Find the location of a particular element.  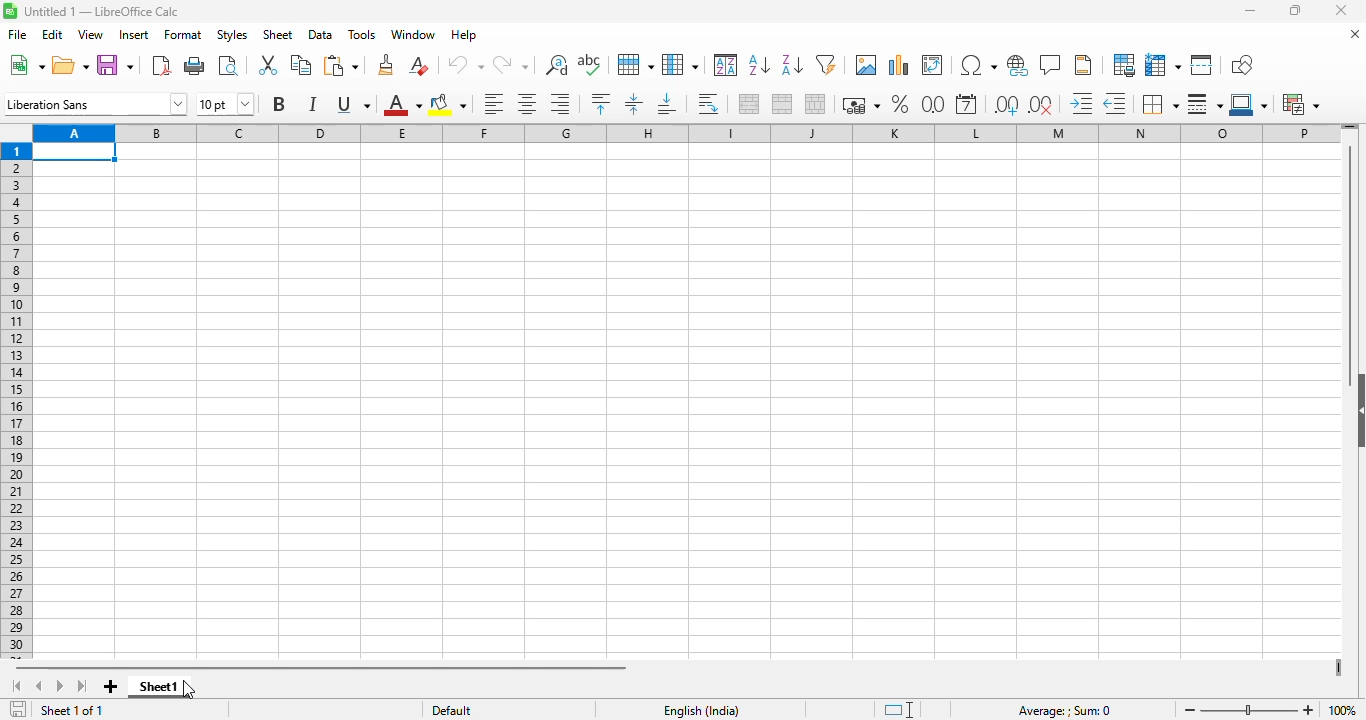

add new sheet is located at coordinates (111, 687).